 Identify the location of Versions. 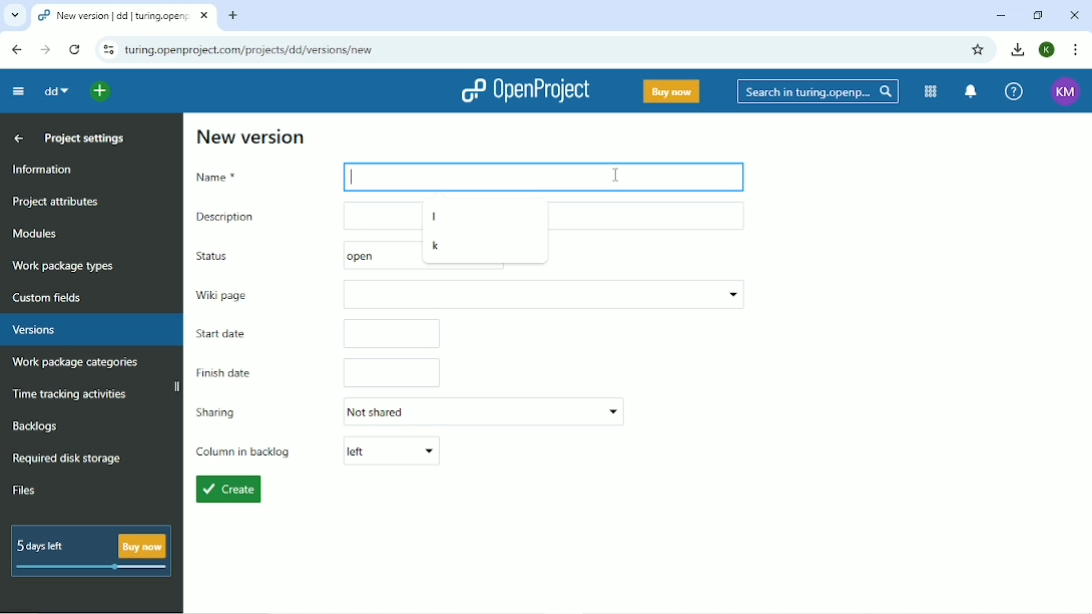
(33, 330).